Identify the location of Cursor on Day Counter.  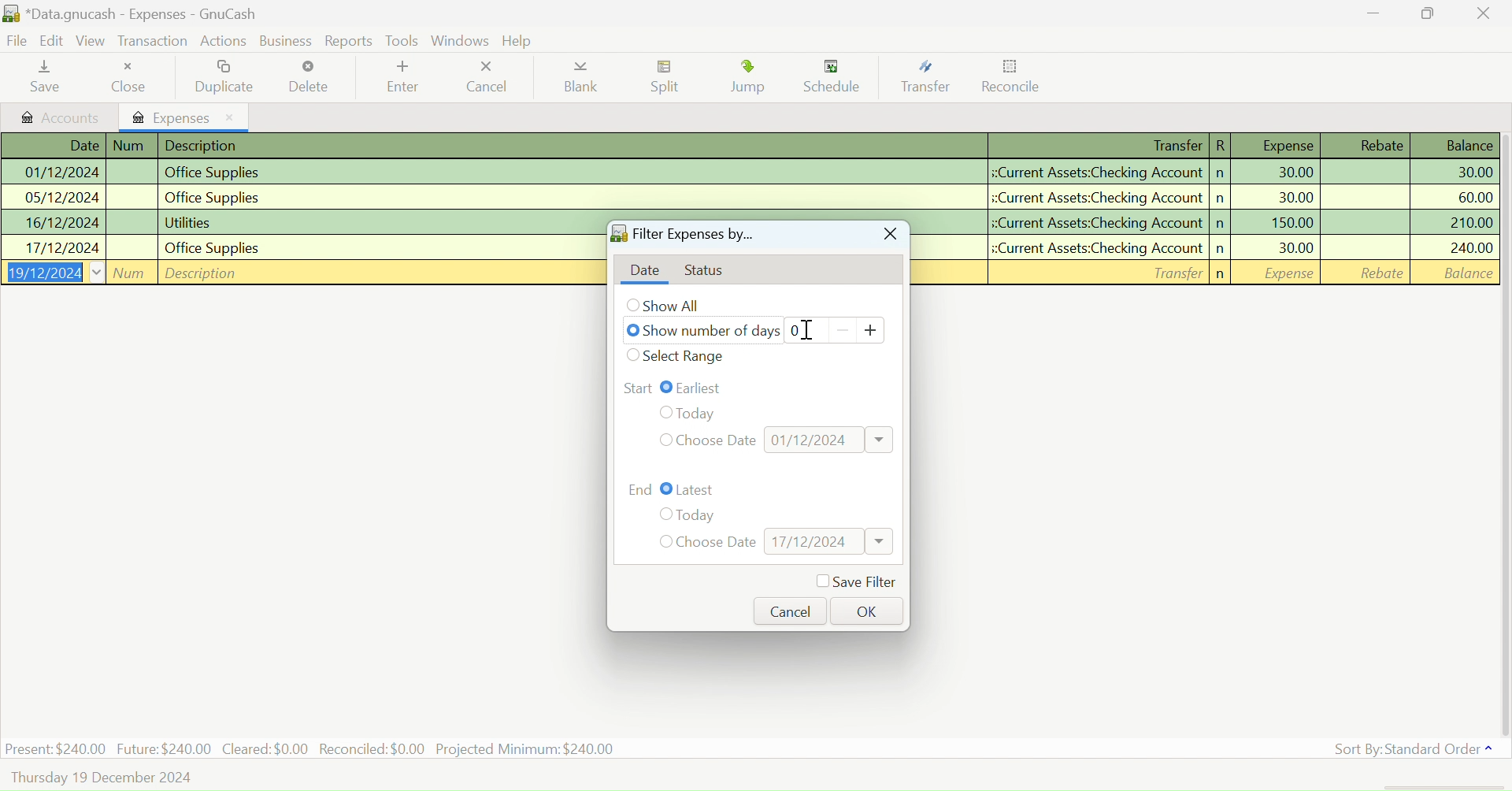
(807, 331).